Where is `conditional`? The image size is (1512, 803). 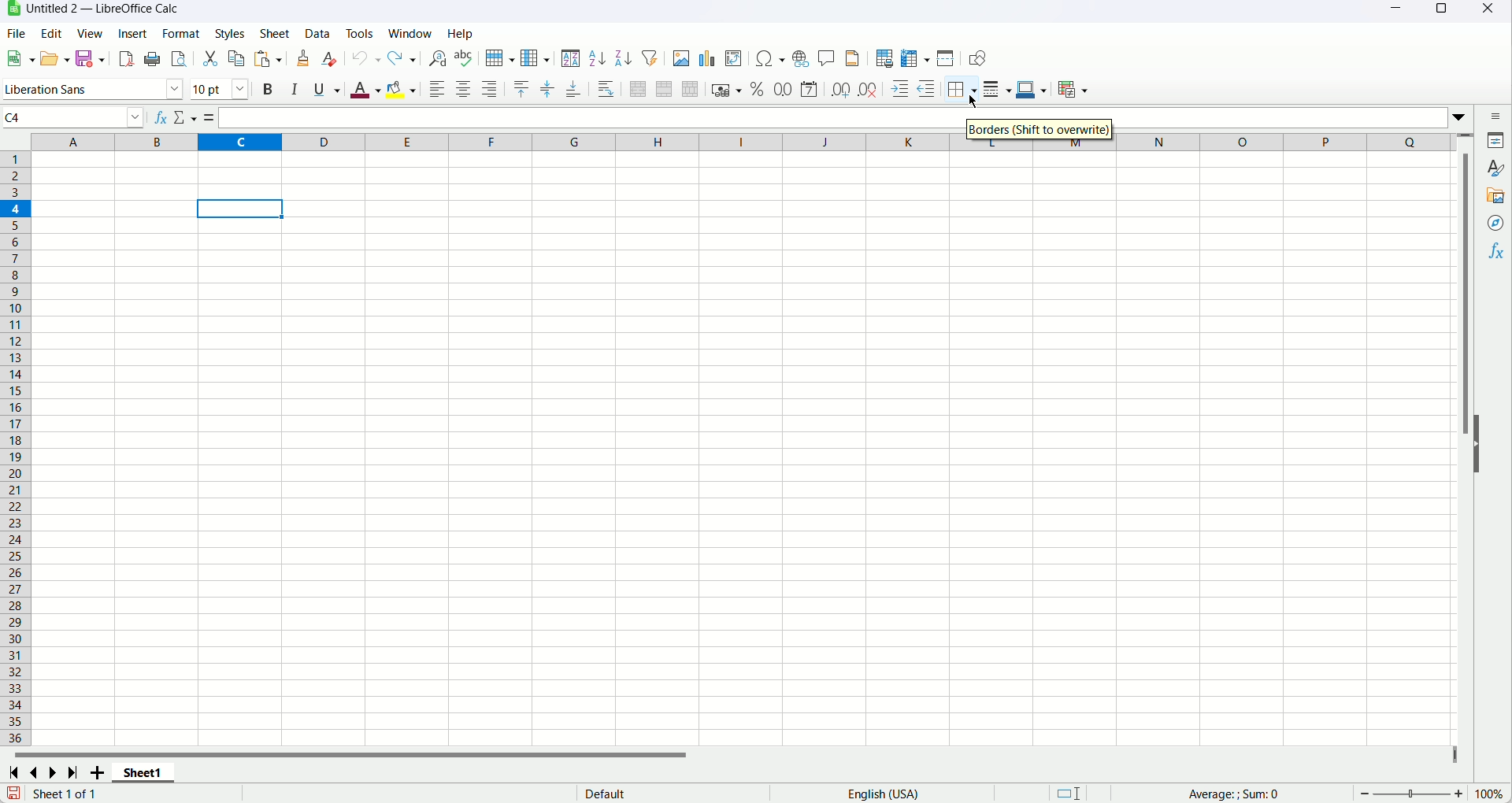
conditional is located at coordinates (1075, 88).